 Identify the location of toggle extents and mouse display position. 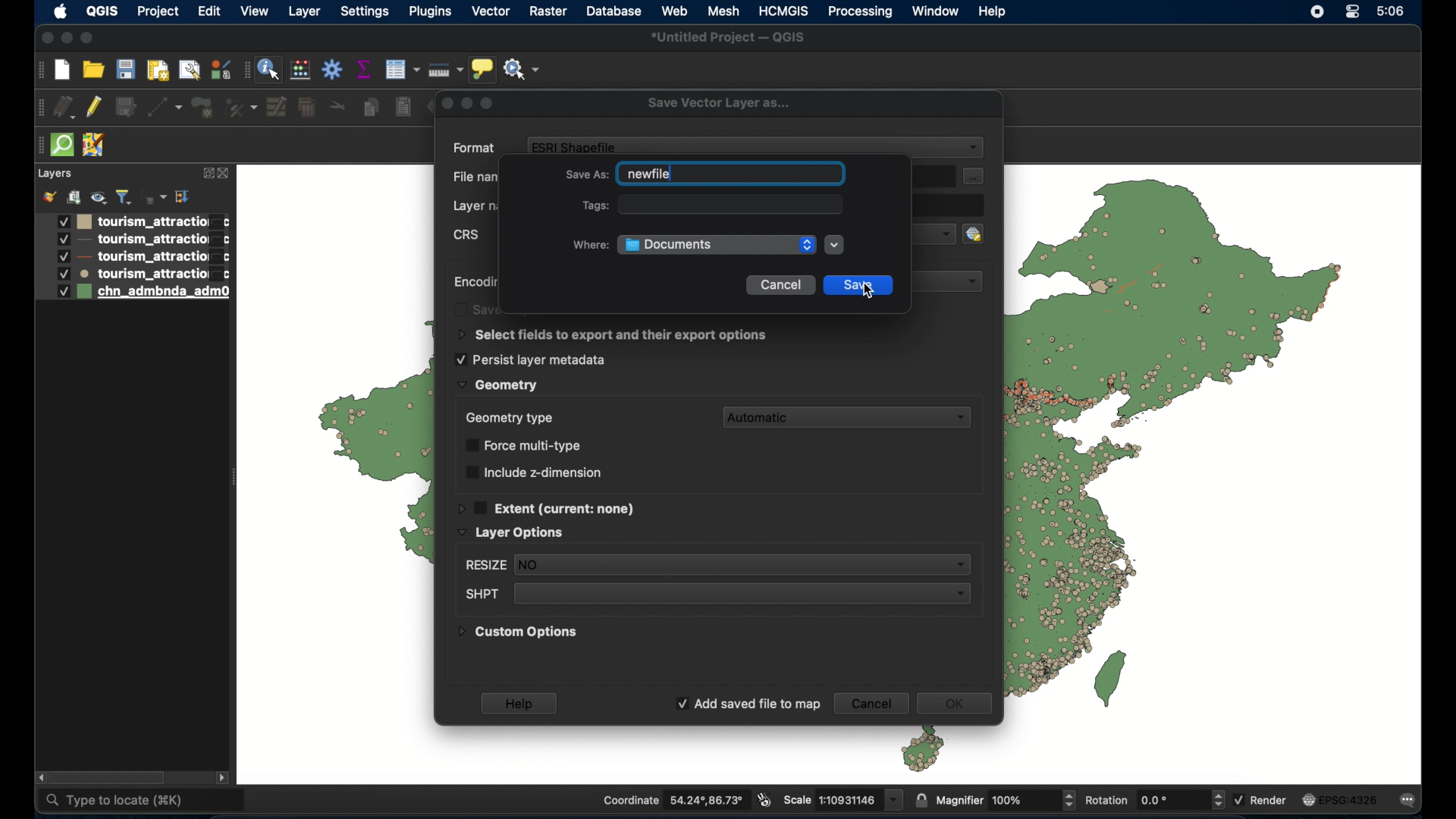
(765, 801).